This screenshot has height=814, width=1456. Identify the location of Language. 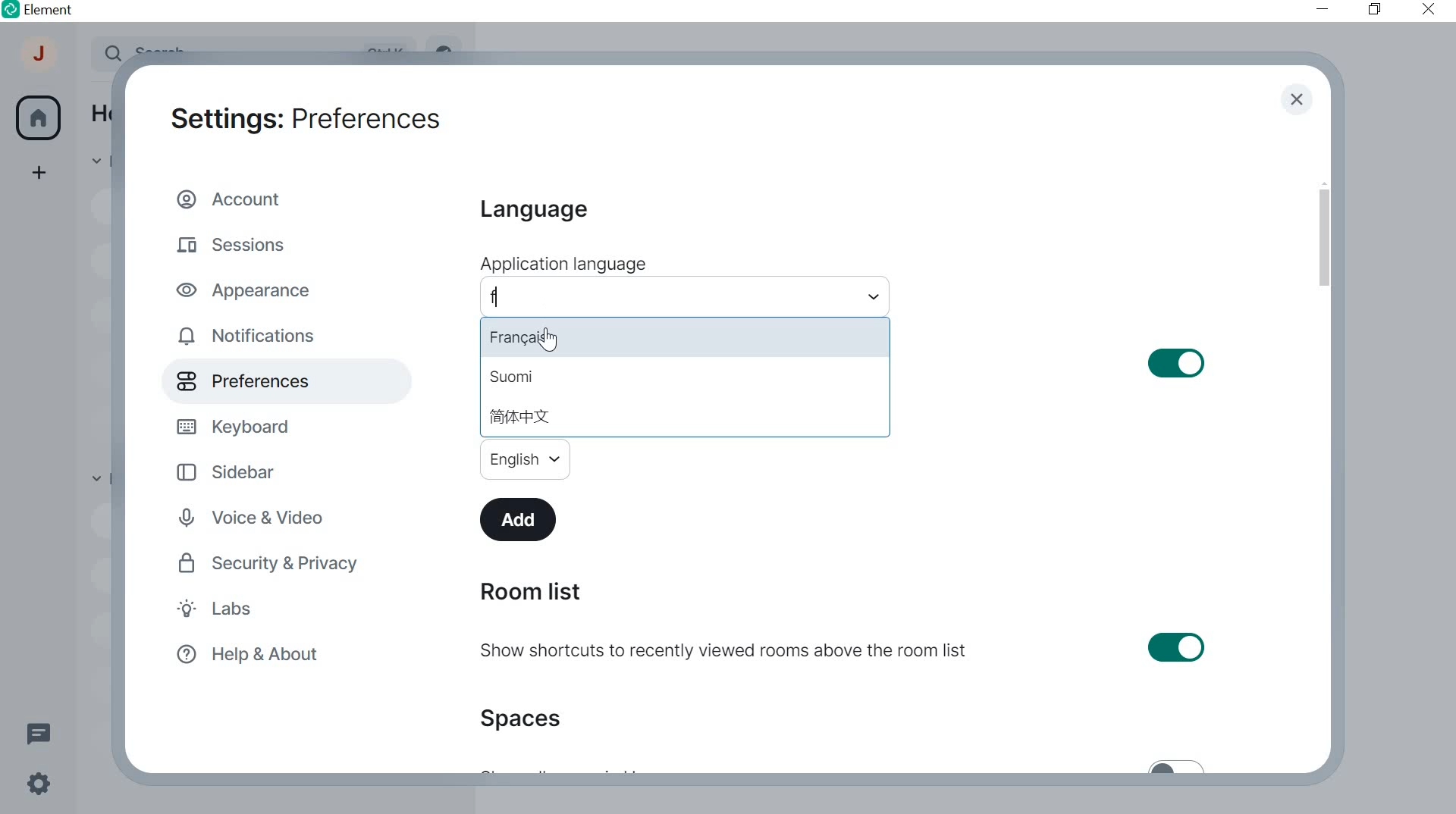
(532, 211).